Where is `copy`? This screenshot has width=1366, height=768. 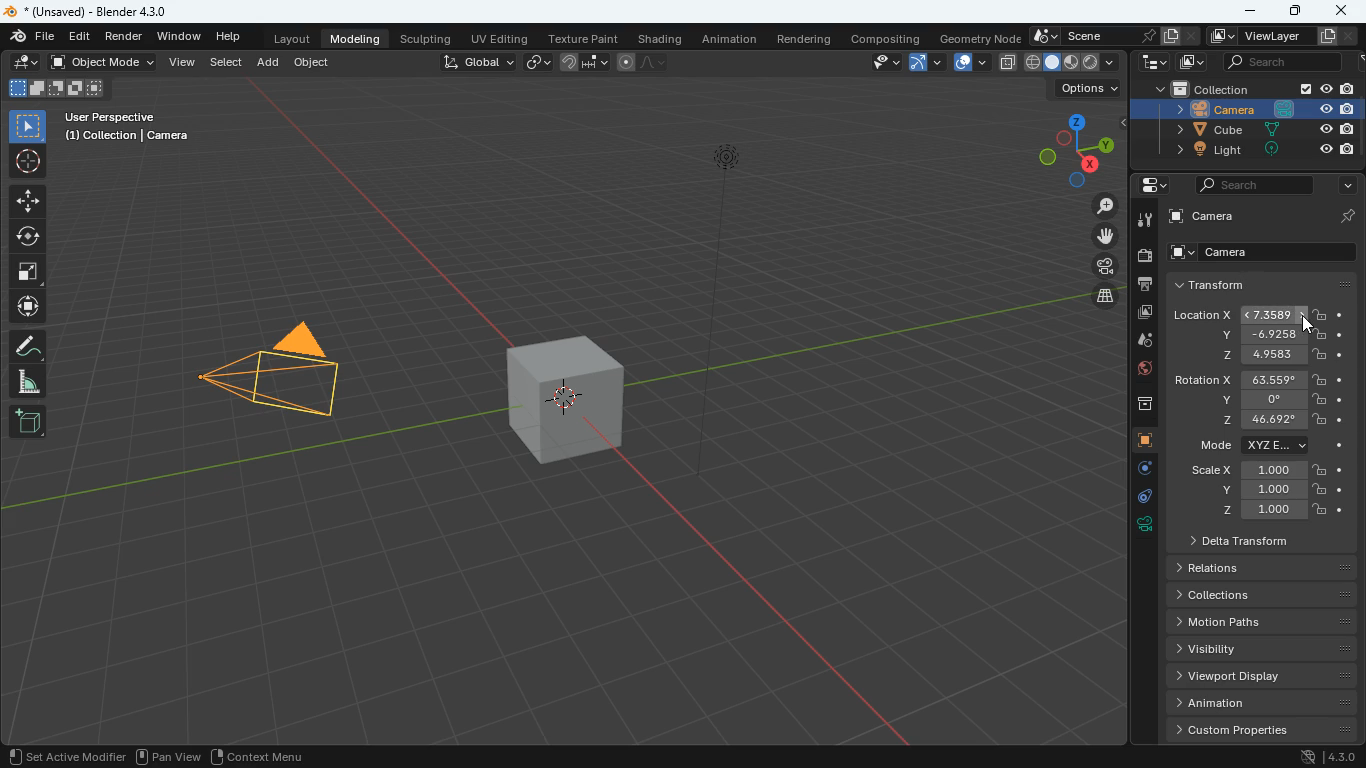 copy is located at coordinates (1007, 64).